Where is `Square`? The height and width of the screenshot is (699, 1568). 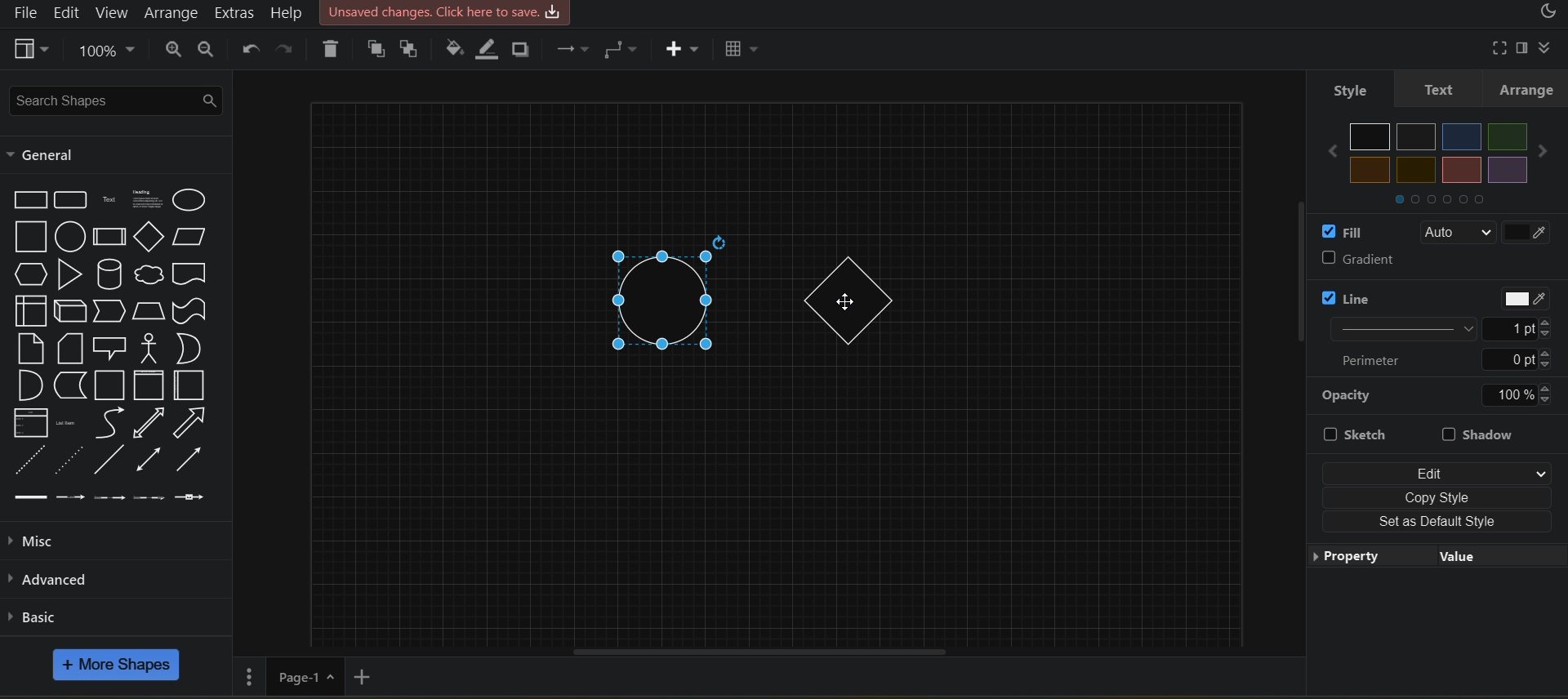
Square is located at coordinates (30, 238).